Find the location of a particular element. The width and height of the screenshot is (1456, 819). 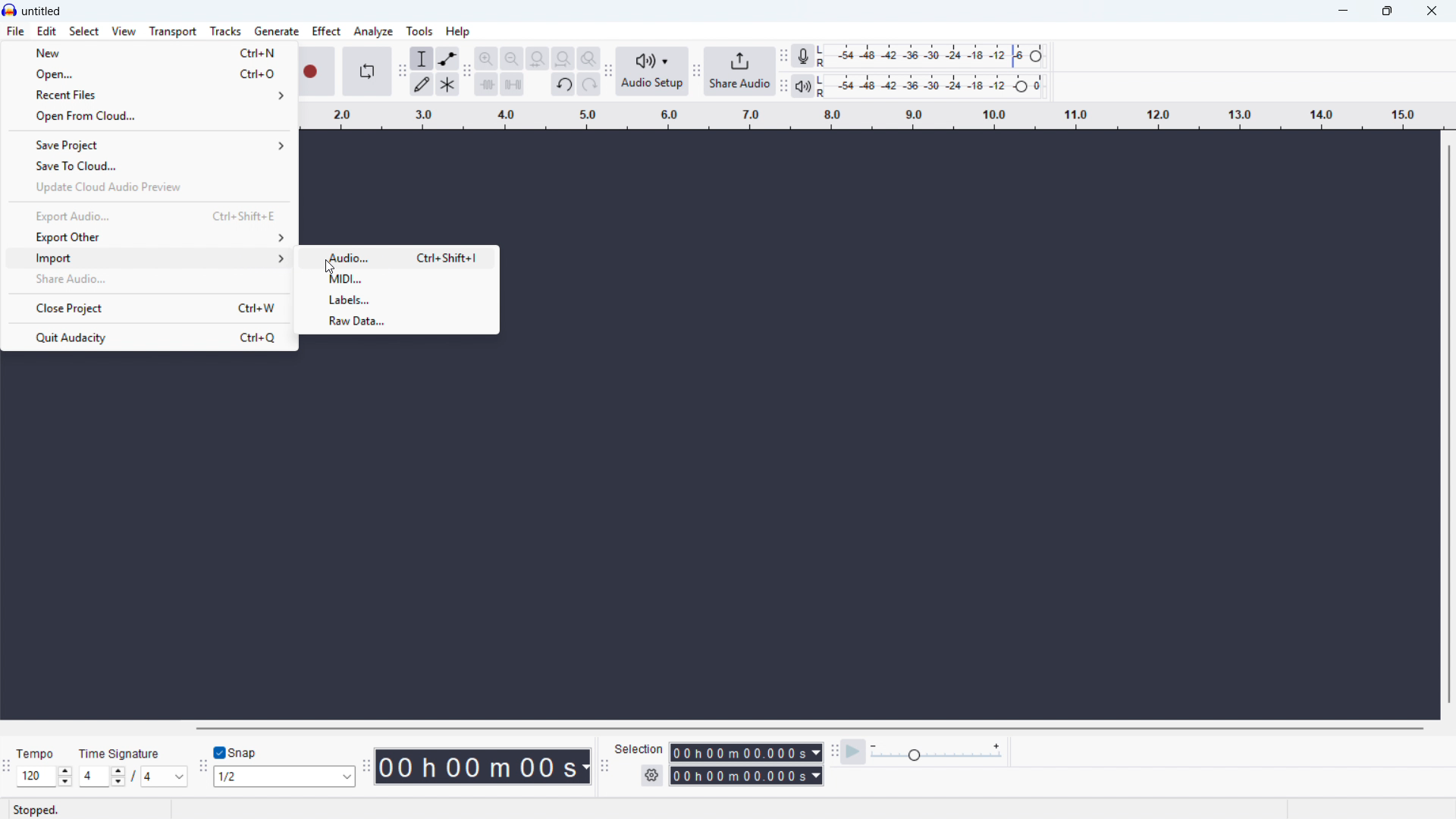

Selection toolbar  is located at coordinates (603, 766).